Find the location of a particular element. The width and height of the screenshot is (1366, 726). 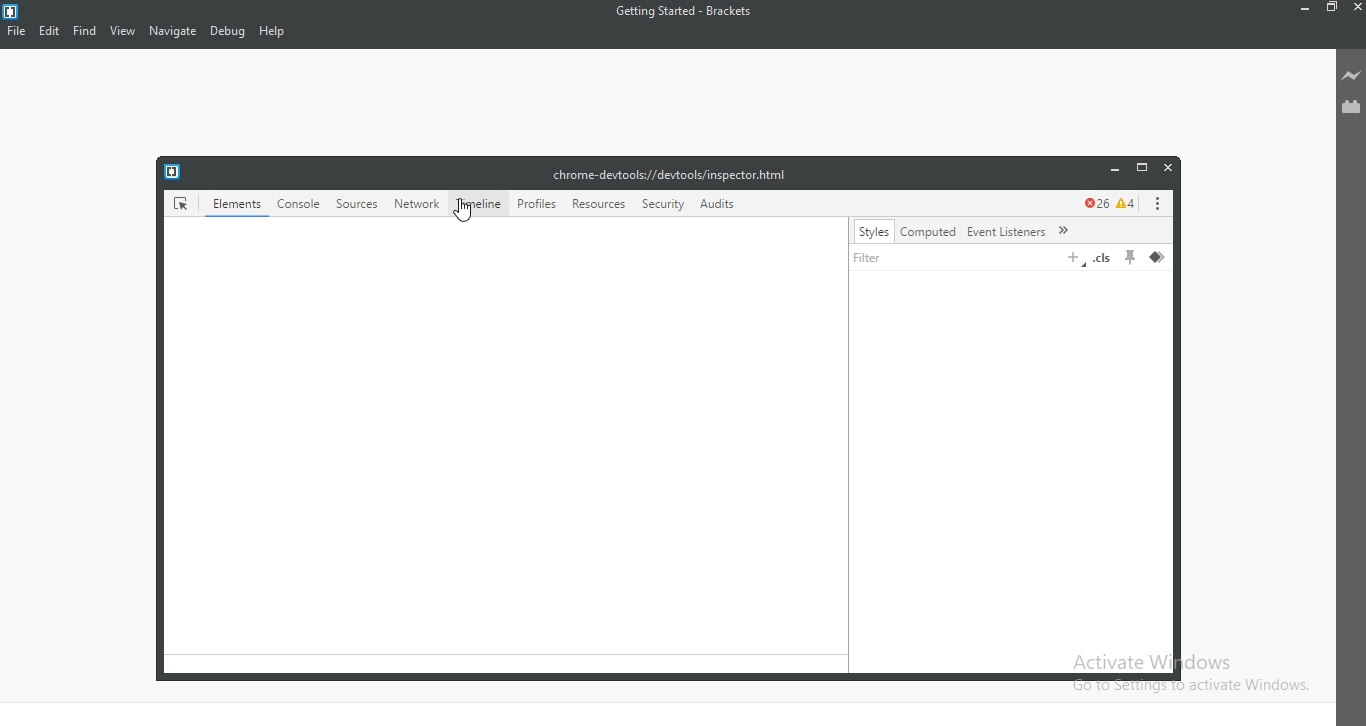

sources is located at coordinates (357, 203).